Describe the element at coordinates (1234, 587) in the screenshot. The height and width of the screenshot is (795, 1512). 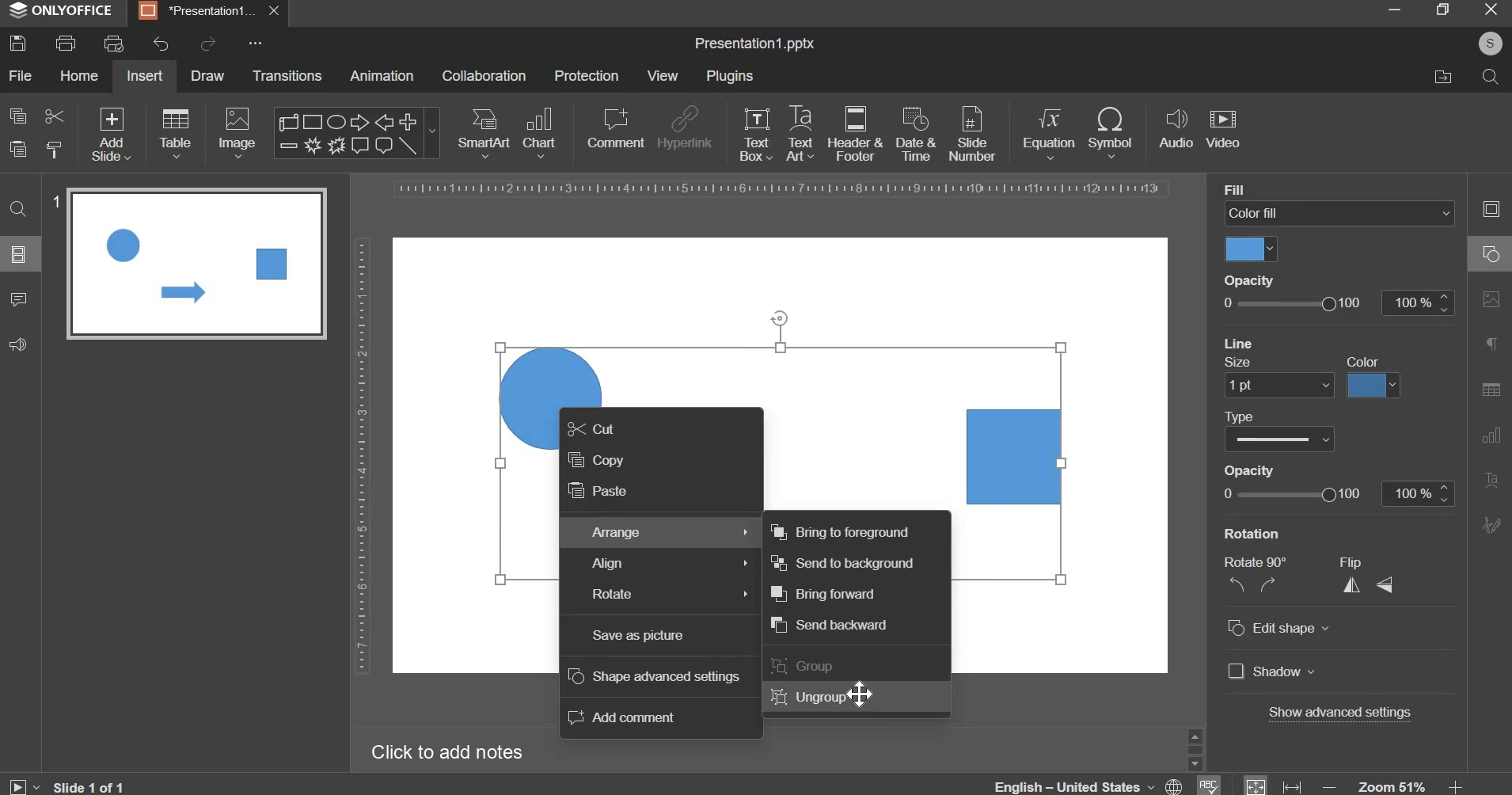
I see `rotate left 90` at that location.